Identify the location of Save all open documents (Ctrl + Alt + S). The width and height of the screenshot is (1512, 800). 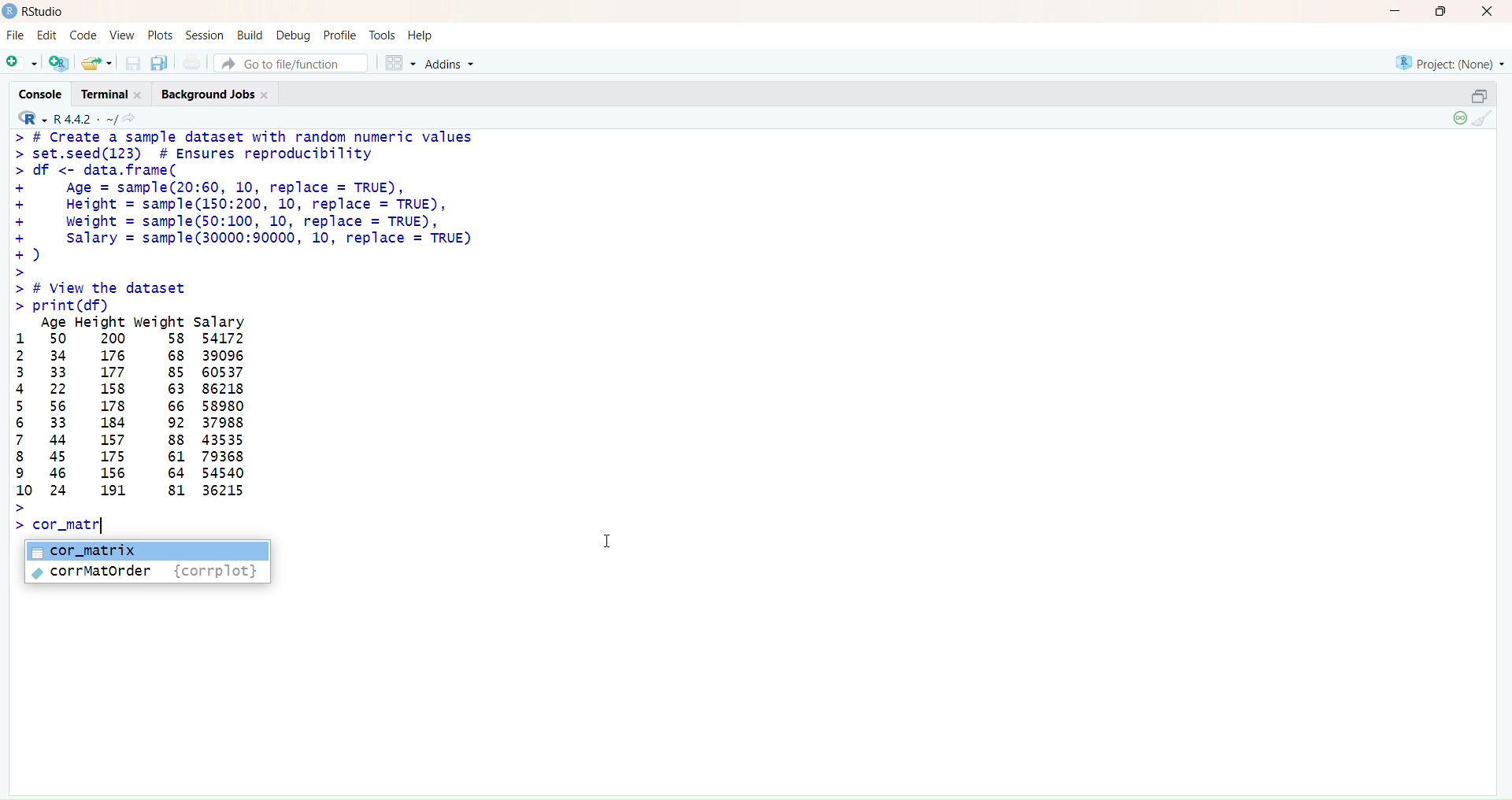
(160, 61).